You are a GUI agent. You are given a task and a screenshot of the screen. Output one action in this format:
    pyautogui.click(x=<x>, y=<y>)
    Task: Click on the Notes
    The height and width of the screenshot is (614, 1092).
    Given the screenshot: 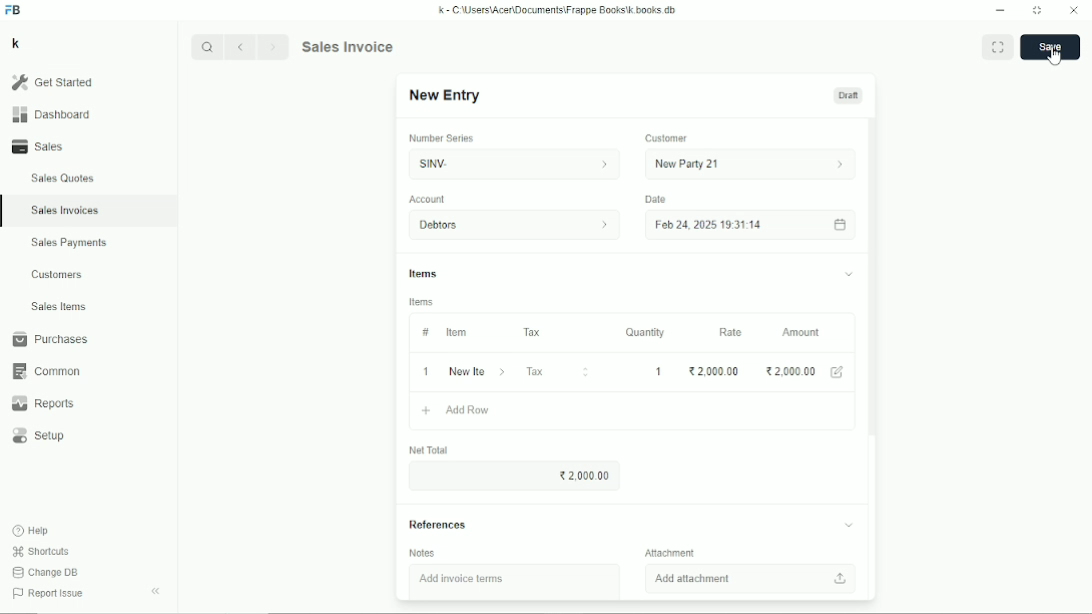 What is the action you would take?
    pyautogui.click(x=422, y=553)
    